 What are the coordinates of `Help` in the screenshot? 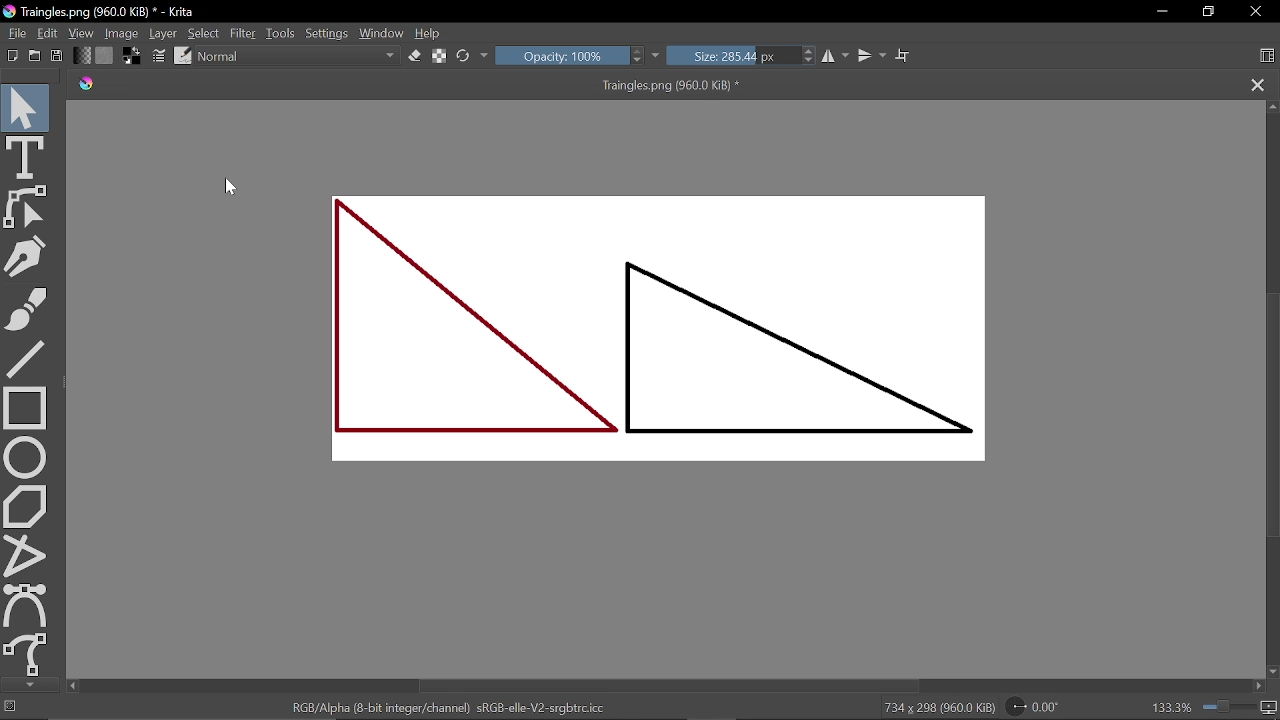 It's located at (428, 34).